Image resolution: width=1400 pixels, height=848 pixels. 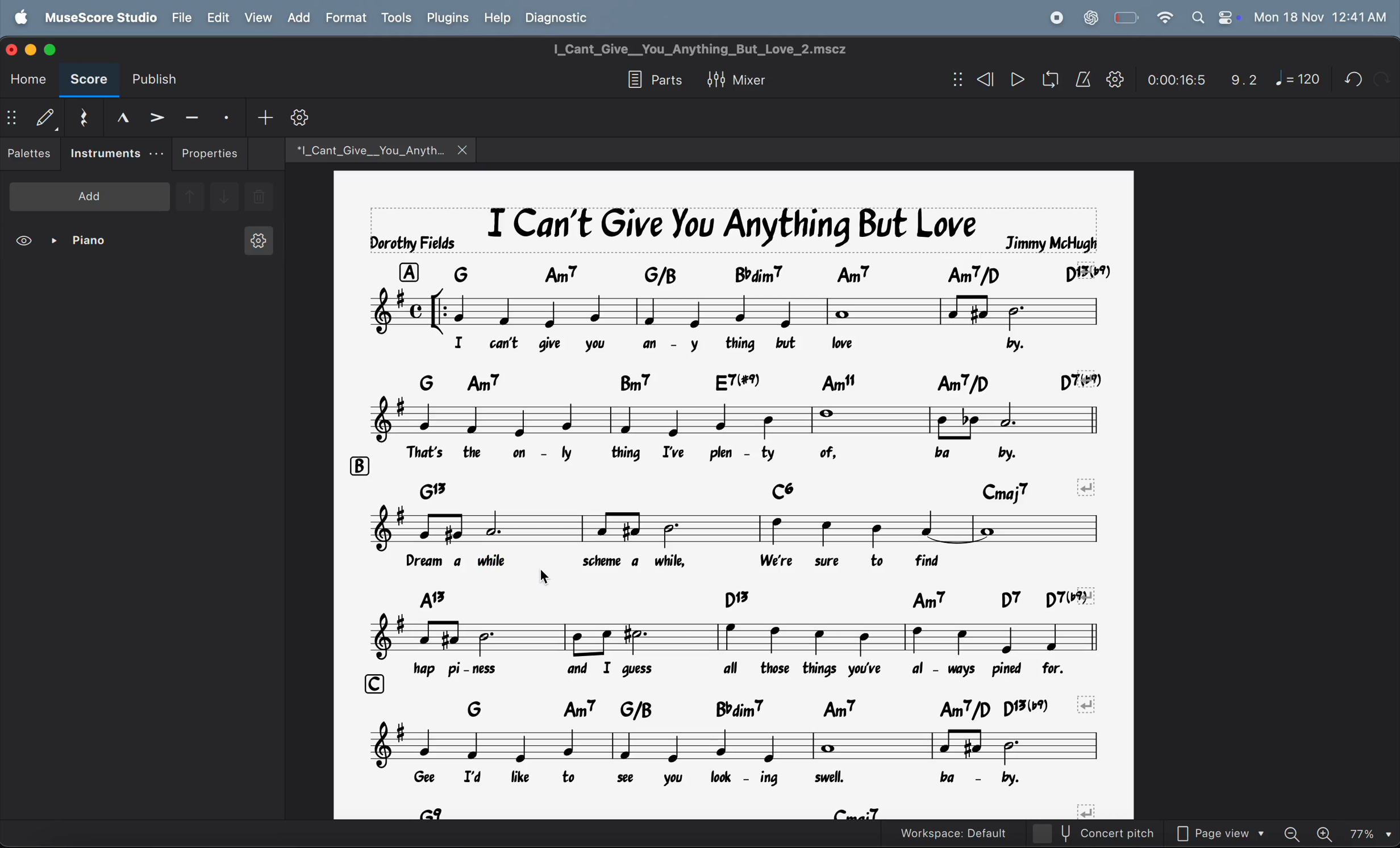 What do you see at coordinates (299, 118) in the screenshot?
I see `customize toobar` at bounding box center [299, 118].